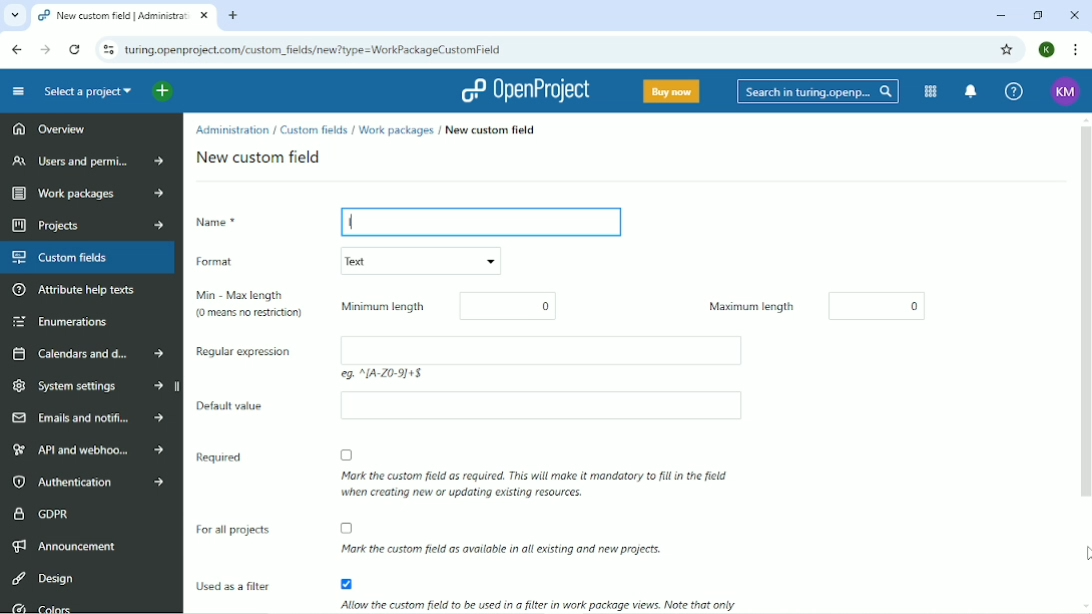 This screenshot has width=1092, height=614. What do you see at coordinates (125, 17) in the screenshot?
I see `New custom field | Administration` at bounding box center [125, 17].